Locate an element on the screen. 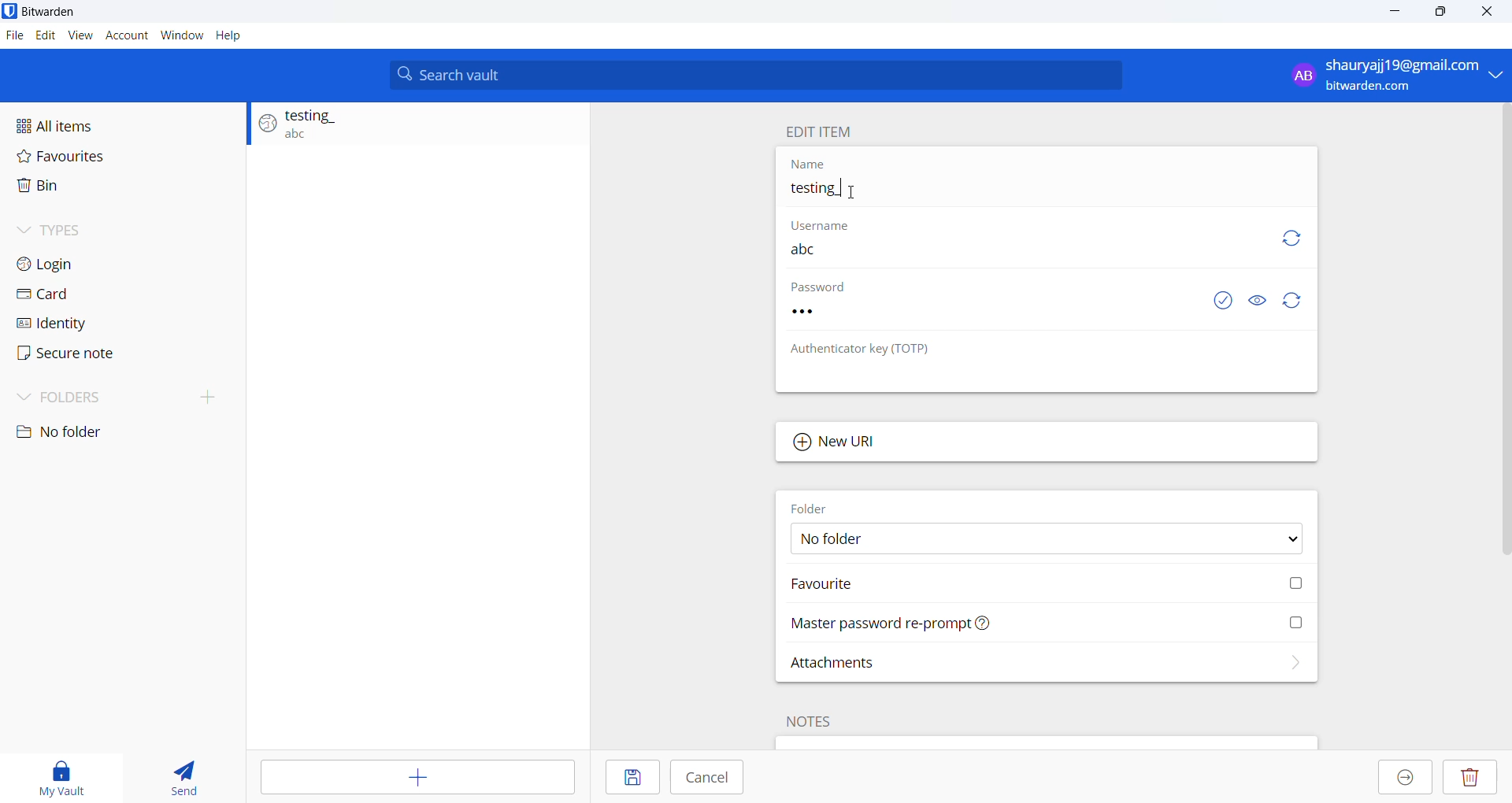 The width and height of the screenshot is (1512, 803). Application name  is located at coordinates (69, 12).